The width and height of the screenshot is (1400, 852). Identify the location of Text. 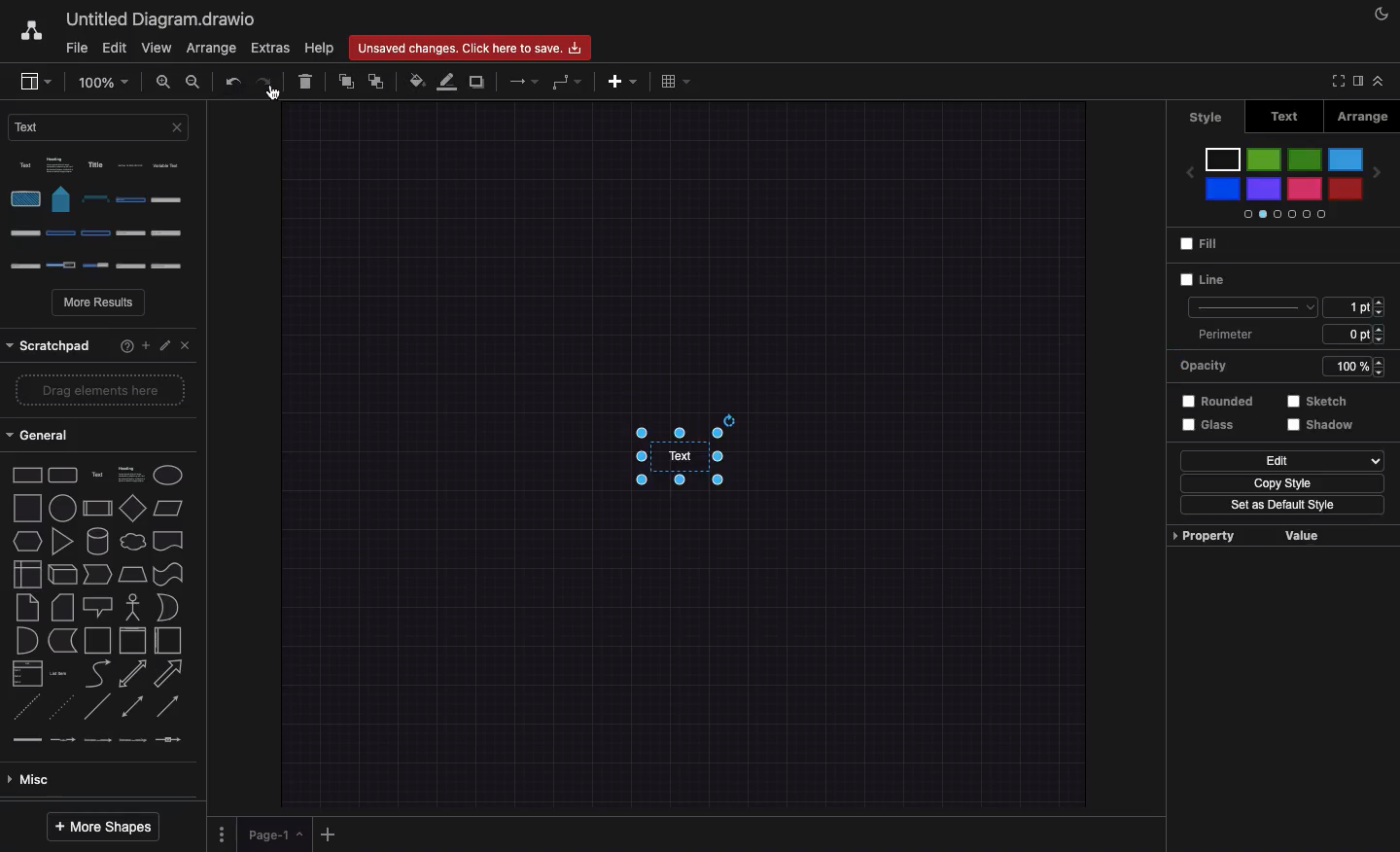
(1285, 116).